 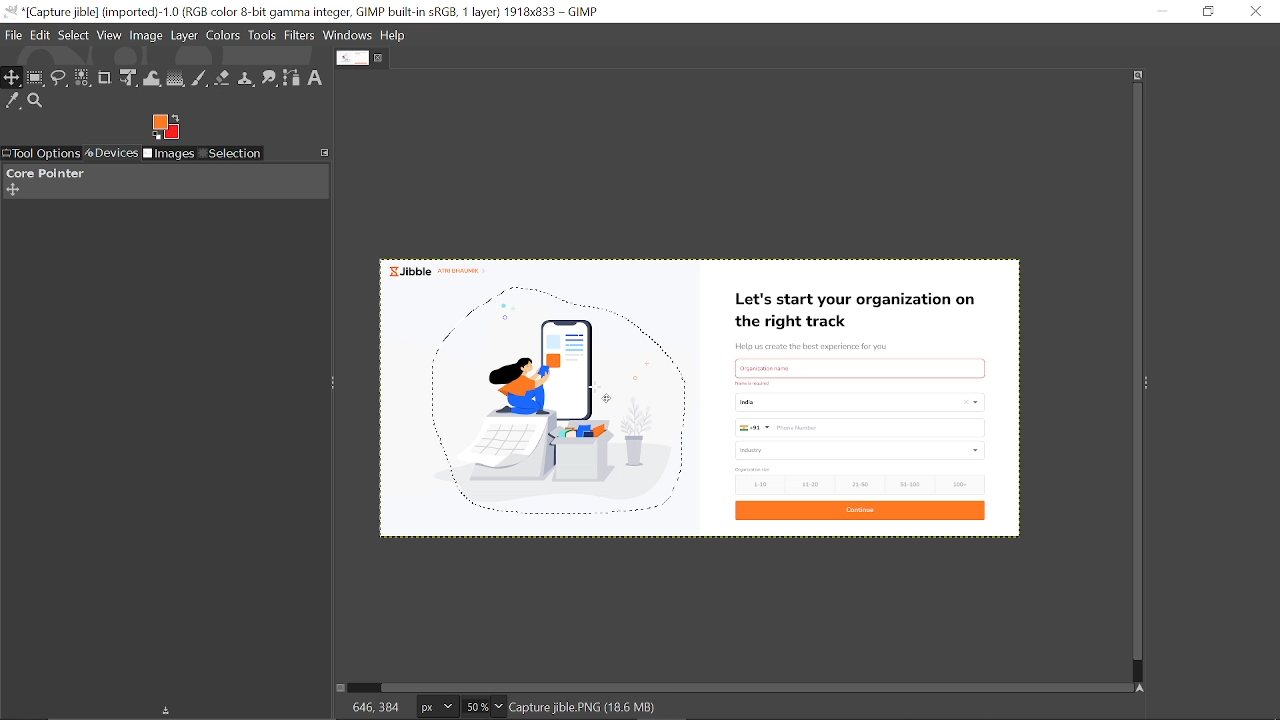 I want to click on Zoom options, so click(x=497, y=707).